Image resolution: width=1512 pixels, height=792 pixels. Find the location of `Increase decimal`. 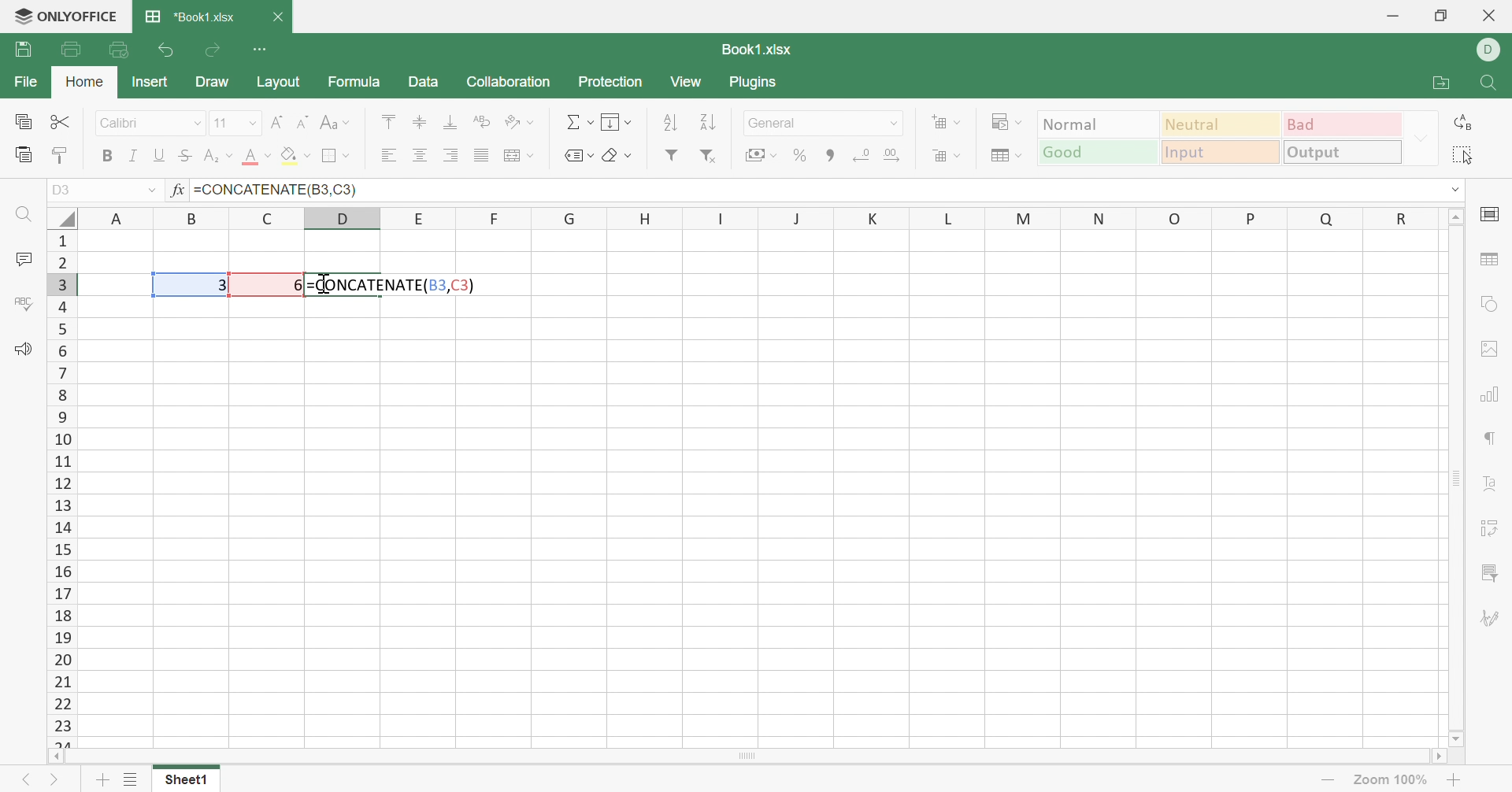

Increase decimal is located at coordinates (892, 156).